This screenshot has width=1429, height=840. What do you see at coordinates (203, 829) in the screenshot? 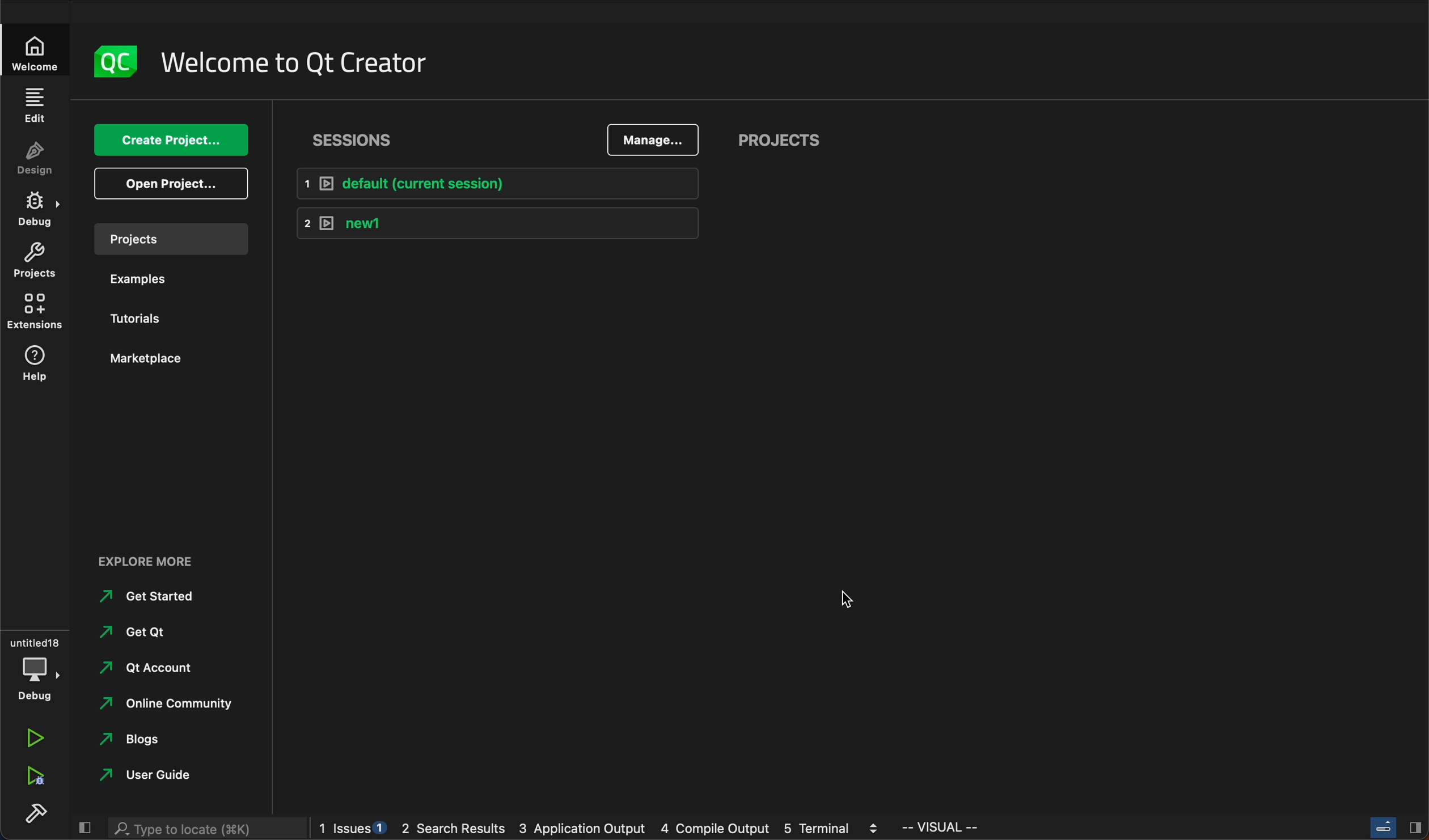
I see `searchbar` at bounding box center [203, 829].